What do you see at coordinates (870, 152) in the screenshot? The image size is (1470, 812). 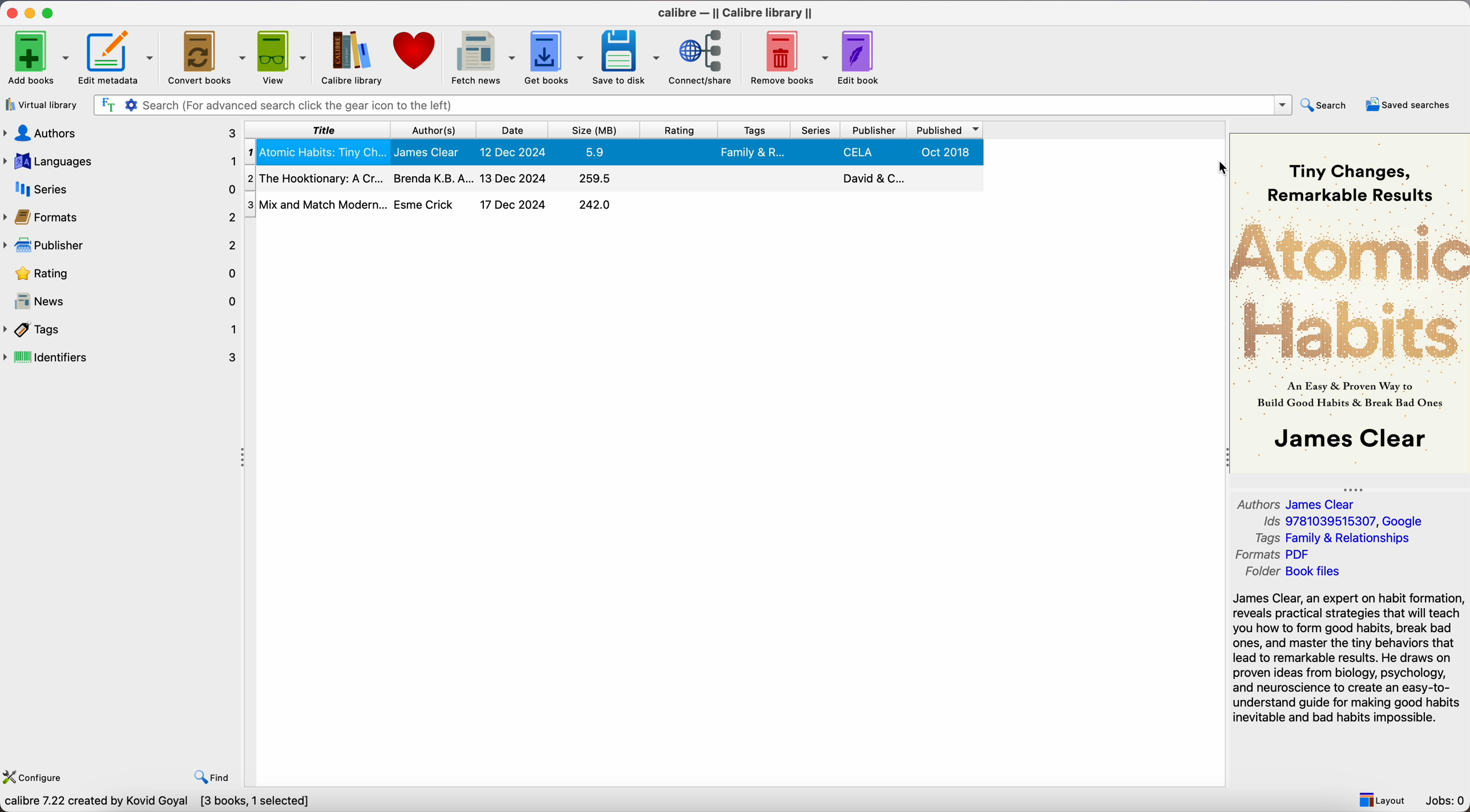 I see `Penguin...` at bounding box center [870, 152].